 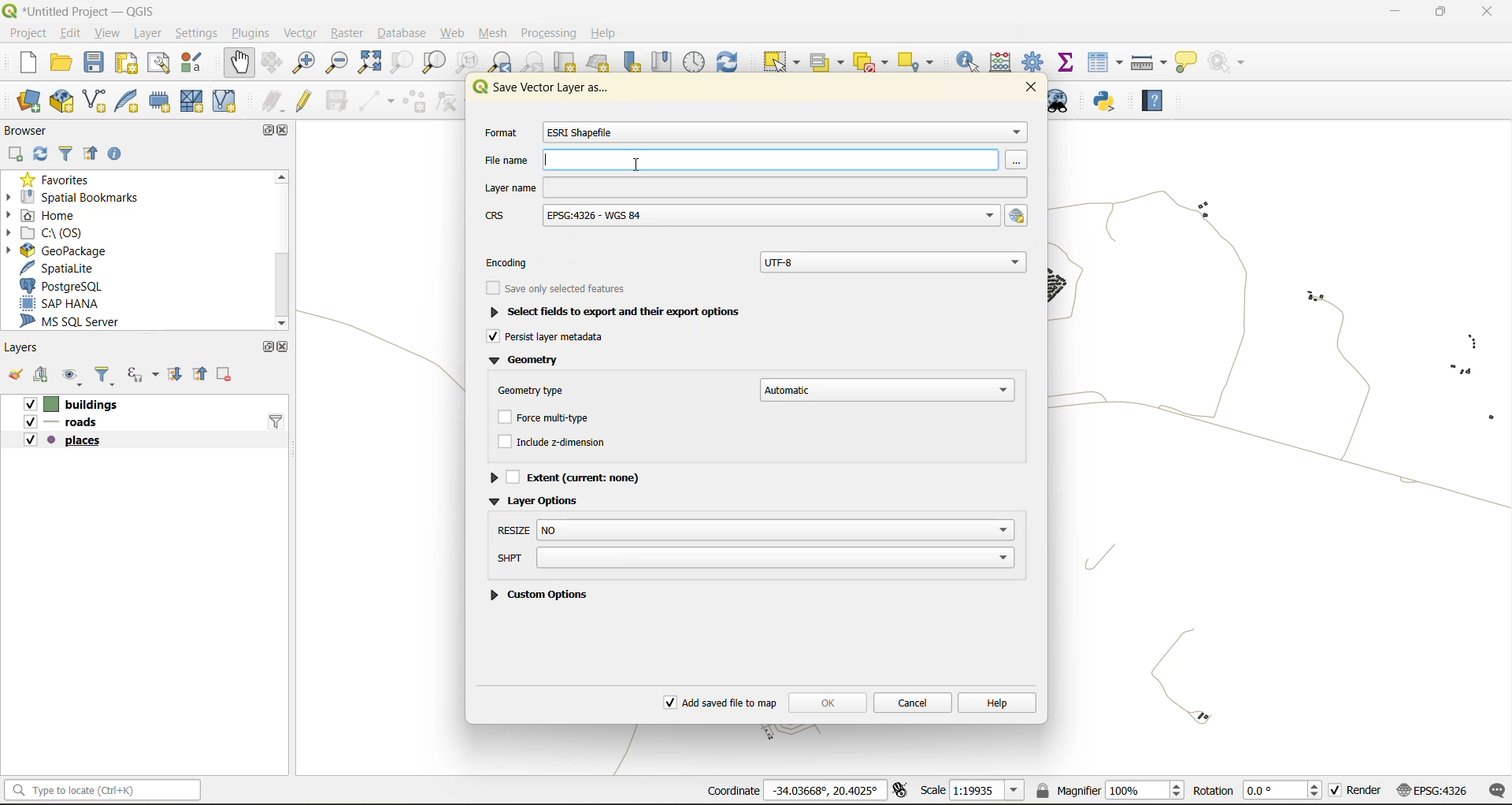 I want to click on show tips, so click(x=1190, y=63).